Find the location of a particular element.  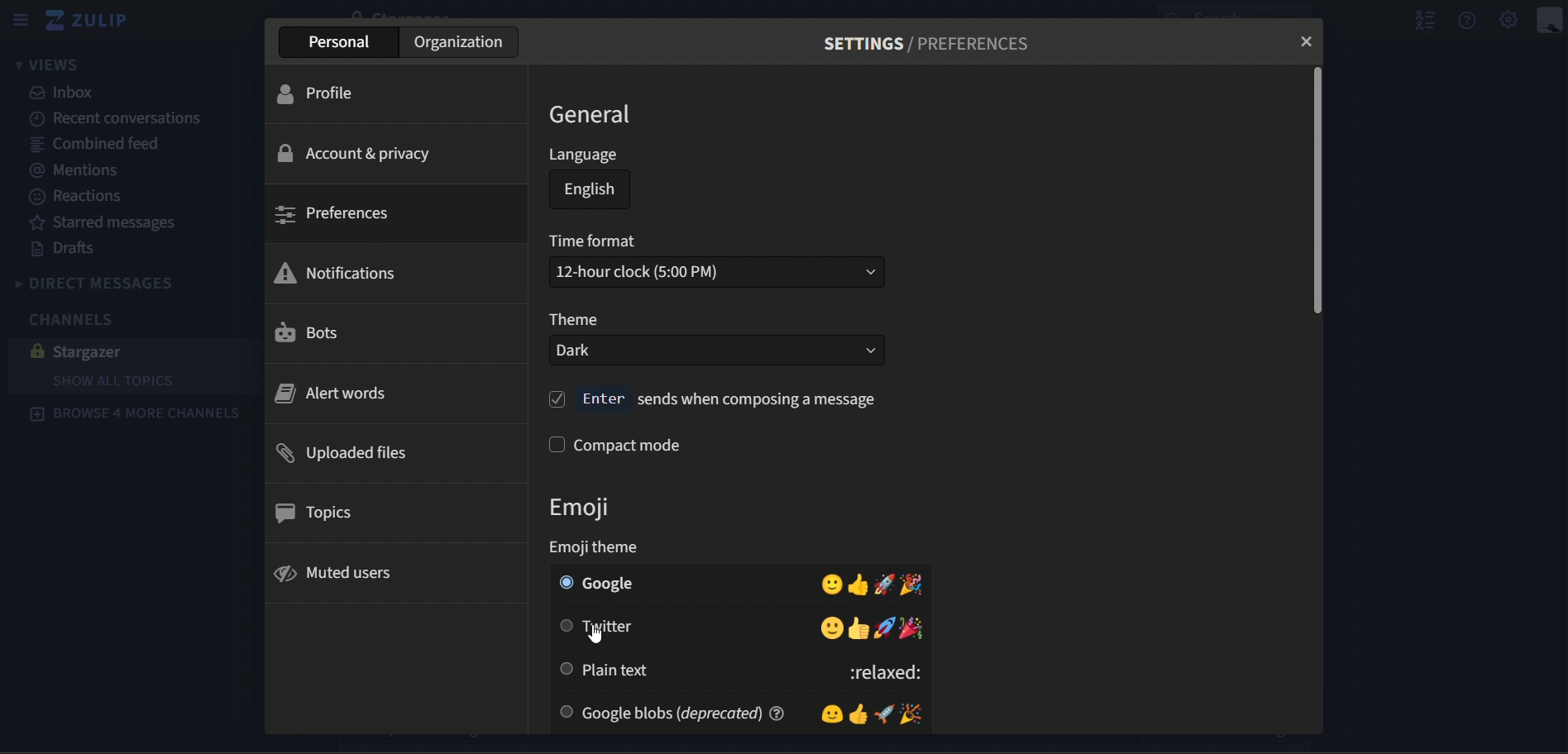

hide user list is located at coordinates (1419, 19).